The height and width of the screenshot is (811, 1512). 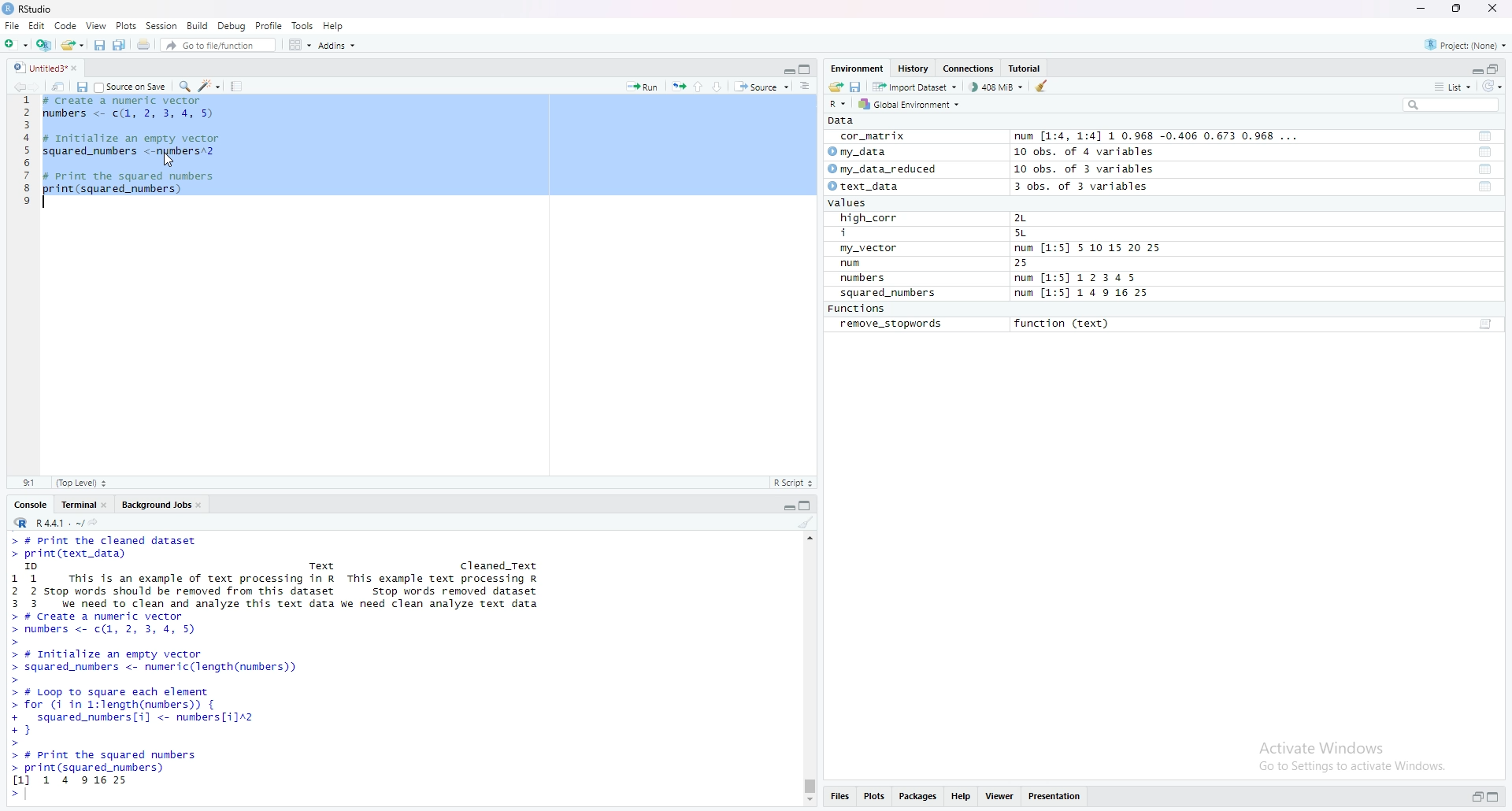 I want to click on Files, so click(x=839, y=798).